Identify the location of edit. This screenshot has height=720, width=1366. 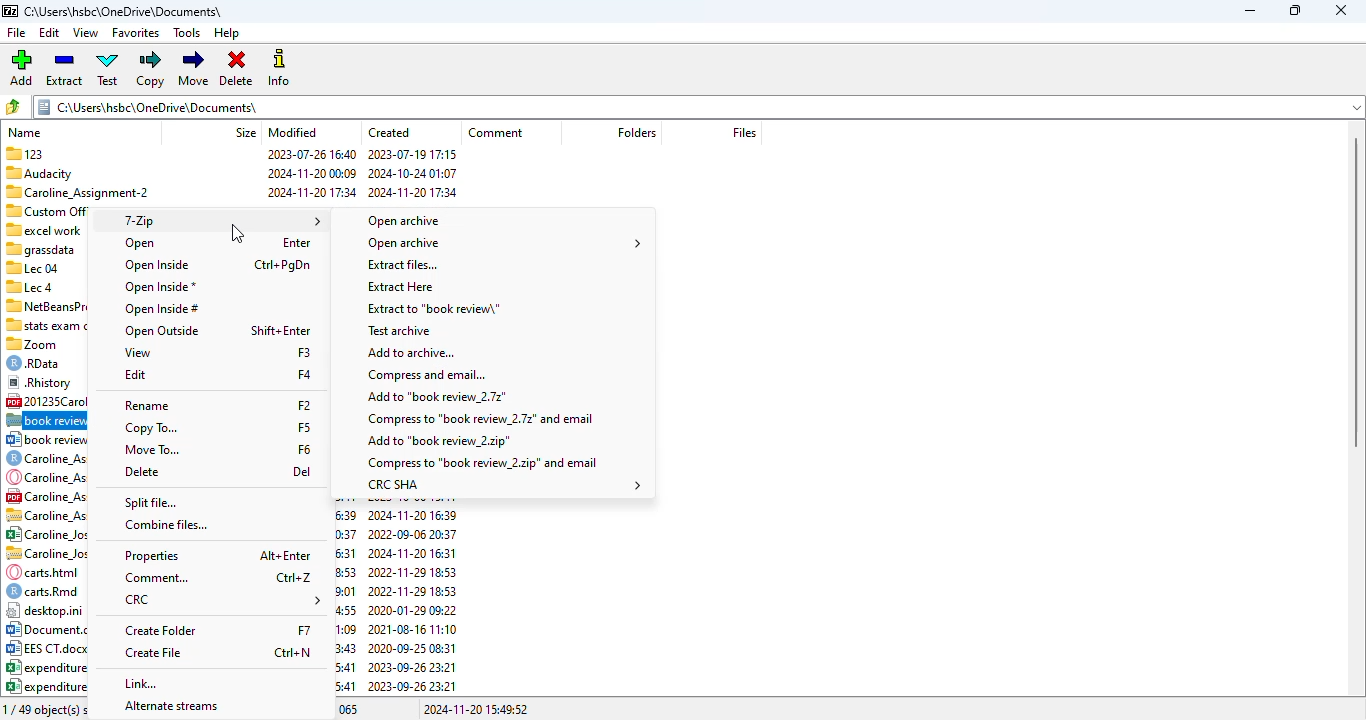
(135, 375).